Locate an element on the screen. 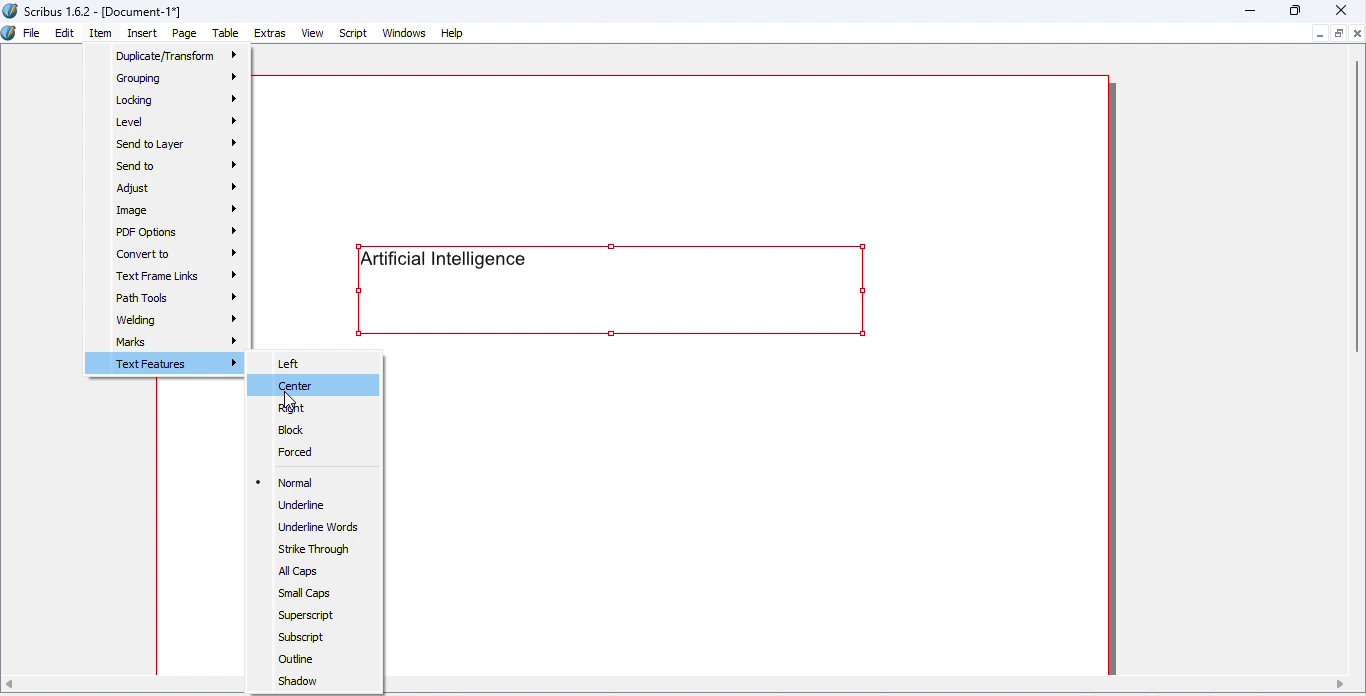  Send to layer is located at coordinates (179, 143).